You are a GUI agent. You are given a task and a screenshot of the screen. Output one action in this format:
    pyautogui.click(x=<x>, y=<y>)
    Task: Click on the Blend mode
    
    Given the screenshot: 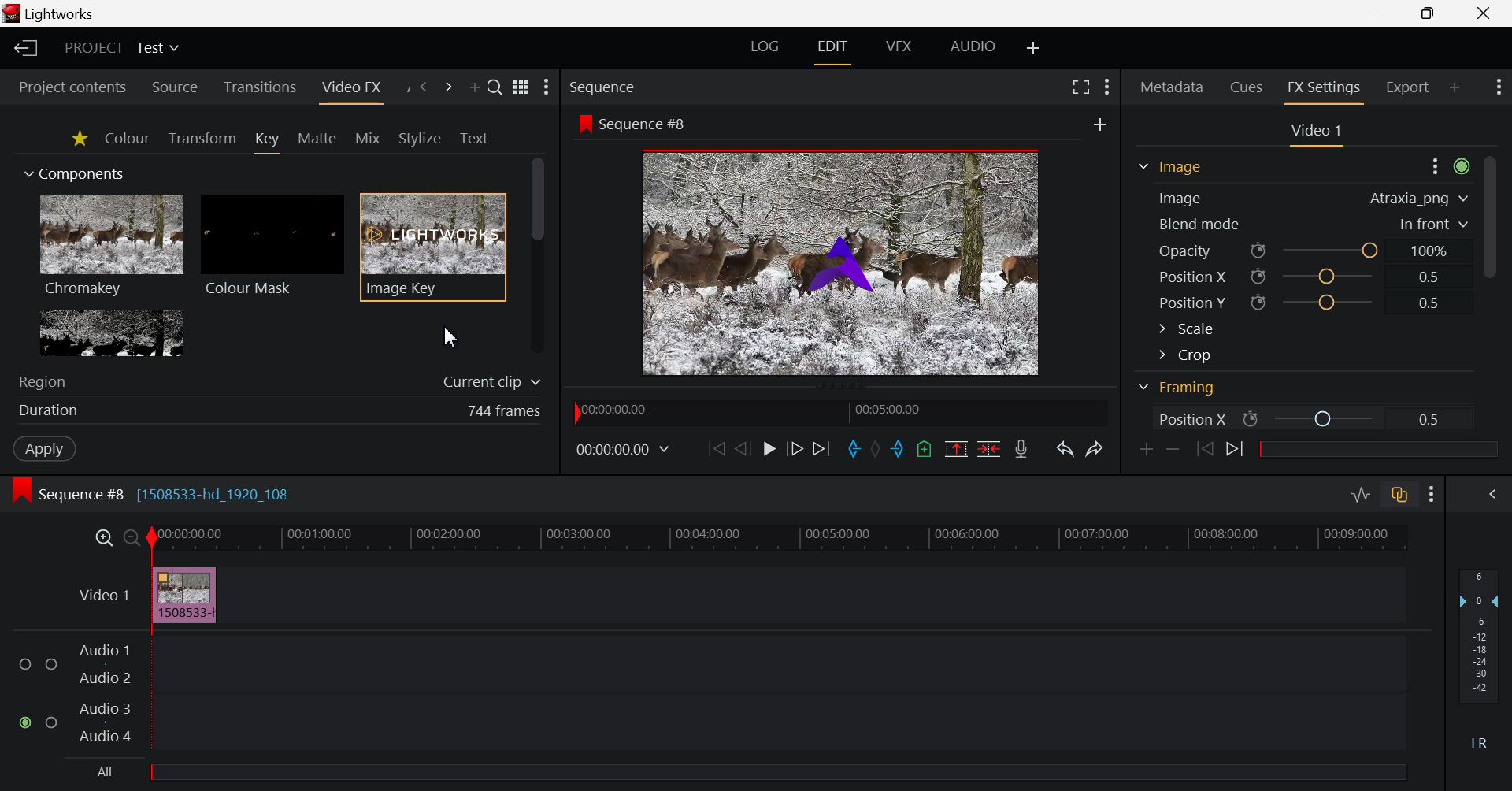 What is the action you would take?
    pyautogui.click(x=1199, y=221)
    